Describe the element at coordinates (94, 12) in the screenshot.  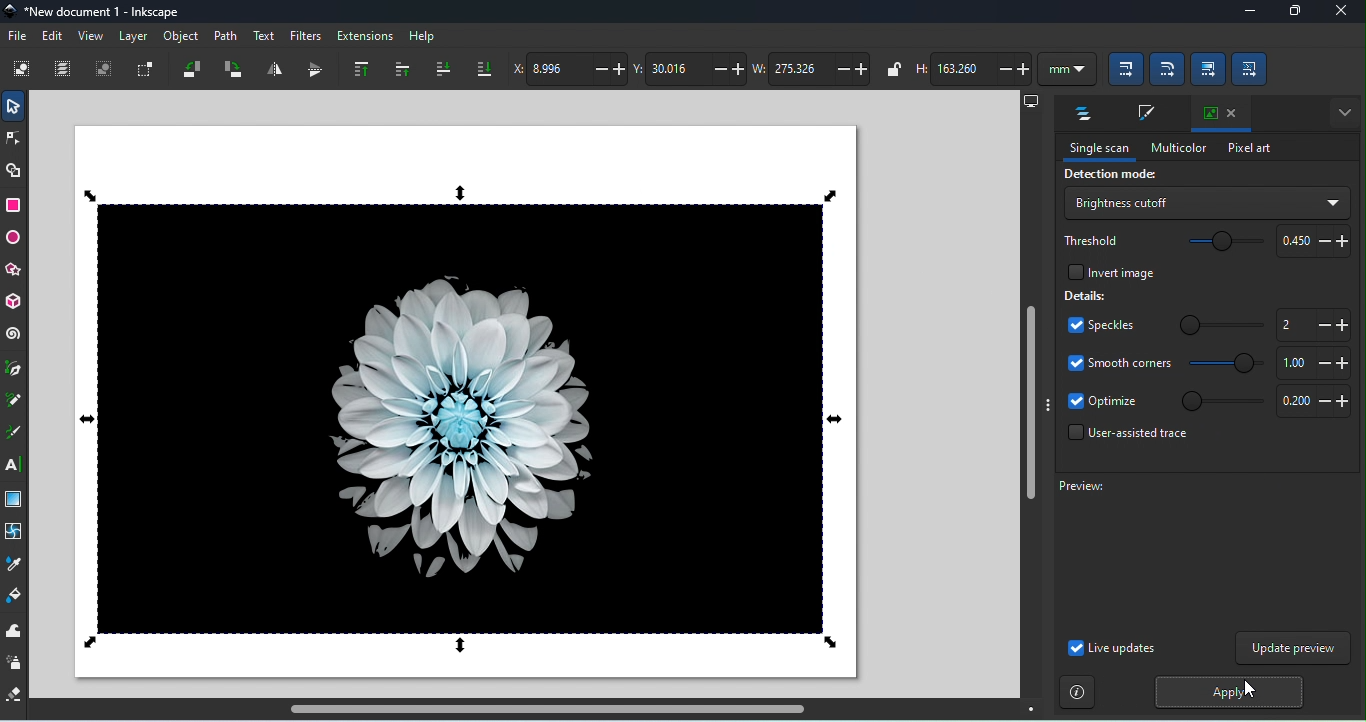
I see `File name` at that location.